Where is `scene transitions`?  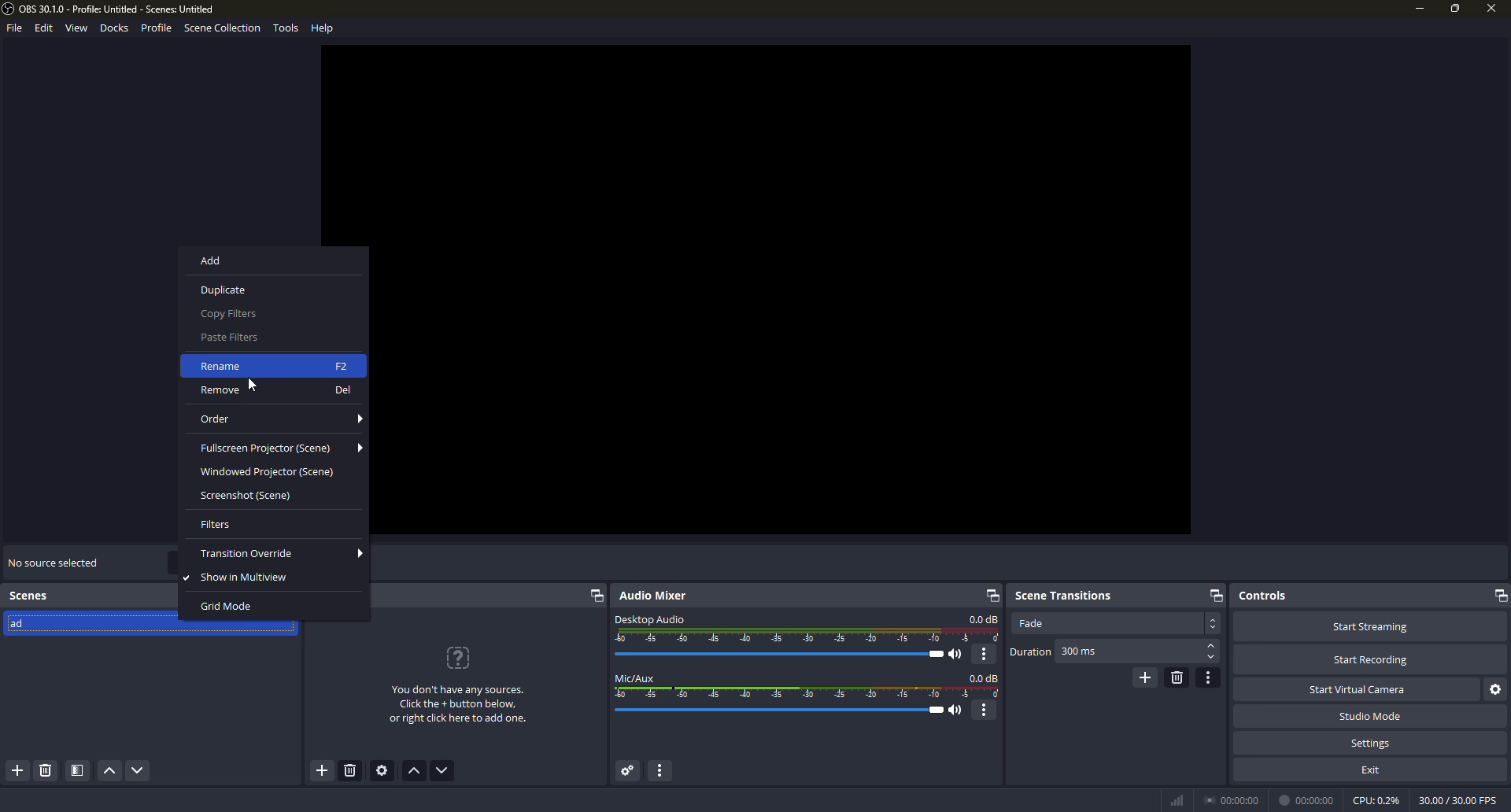 scene transitions is located at coordinates (1063, 593).